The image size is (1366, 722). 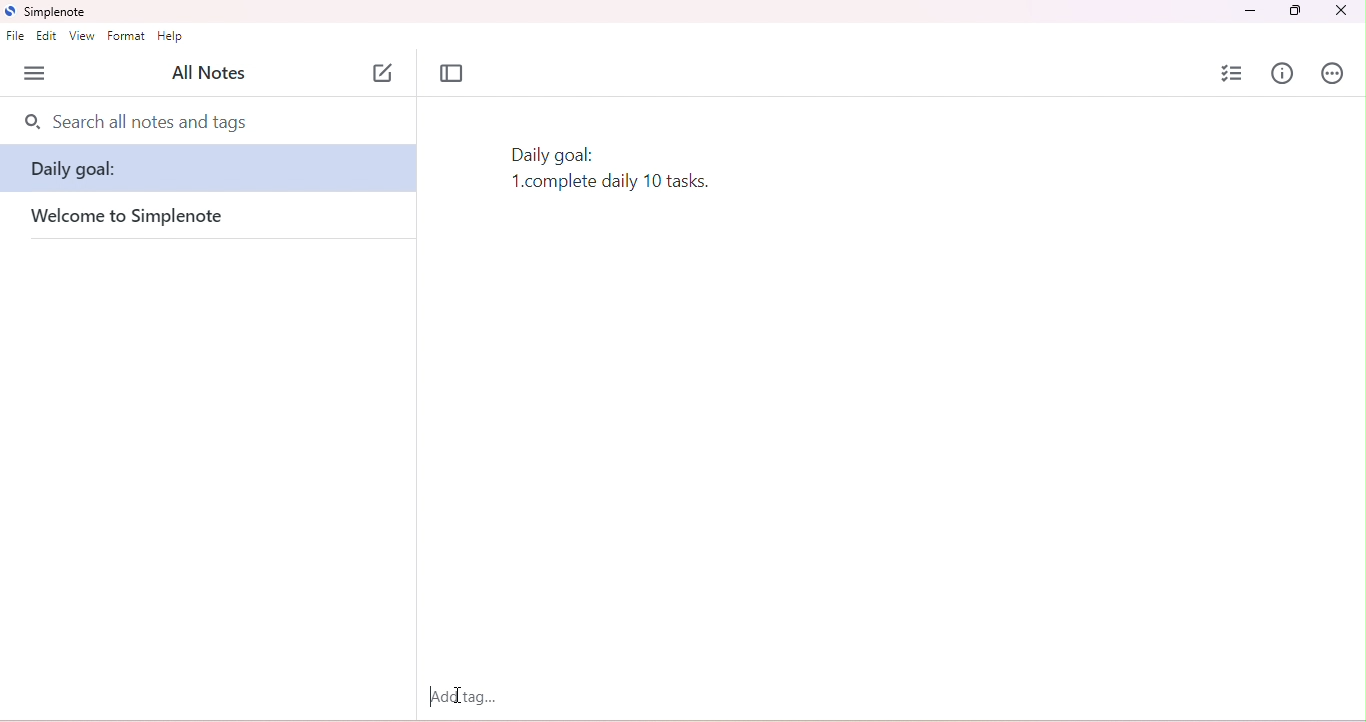 What do you see at coordinates (1234, 74) in the screenshot?
I see `insert checklist` at bounding box center [1234, 74].